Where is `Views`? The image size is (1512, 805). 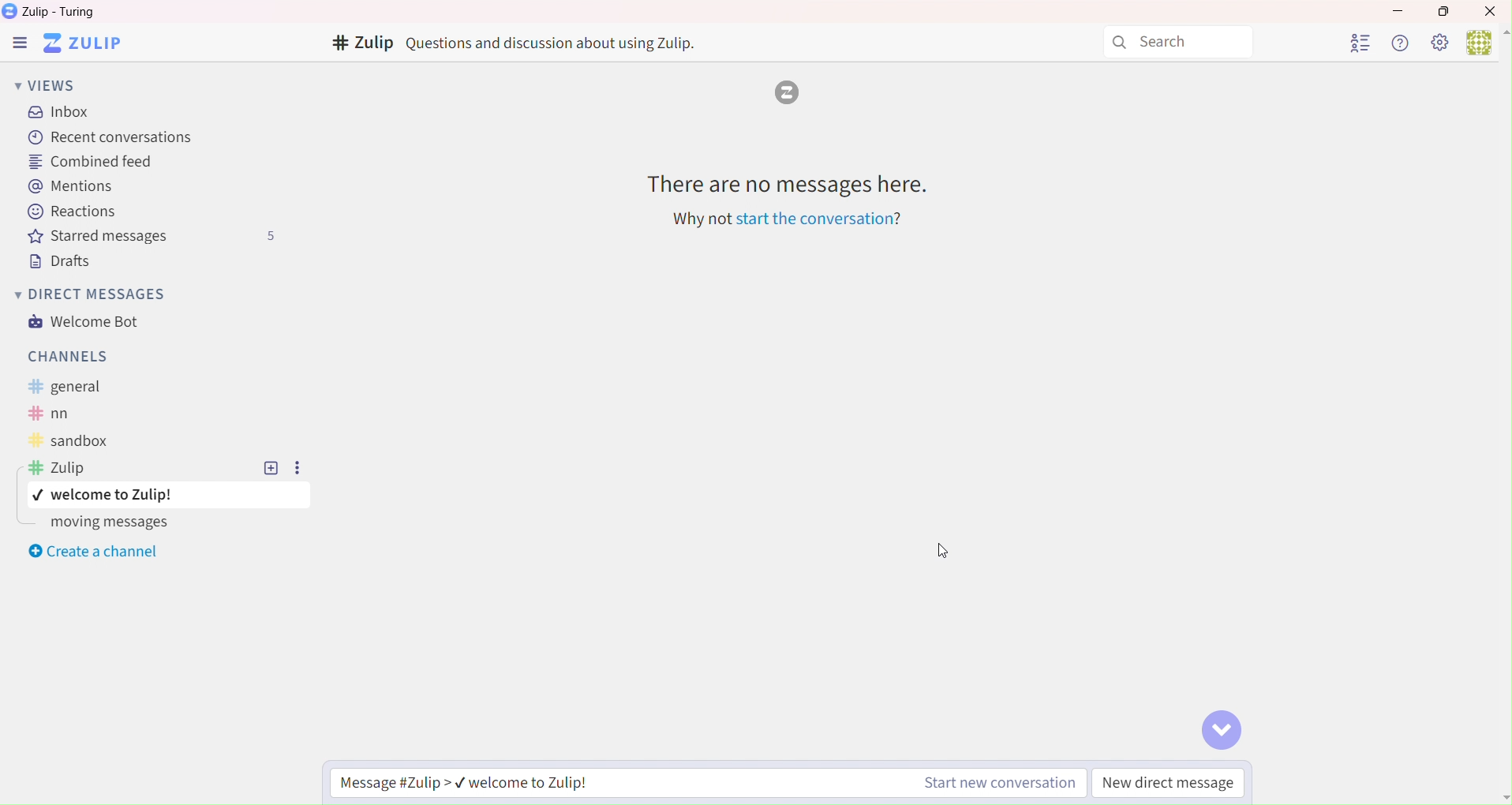 Views is located at coordinates (43, 85).